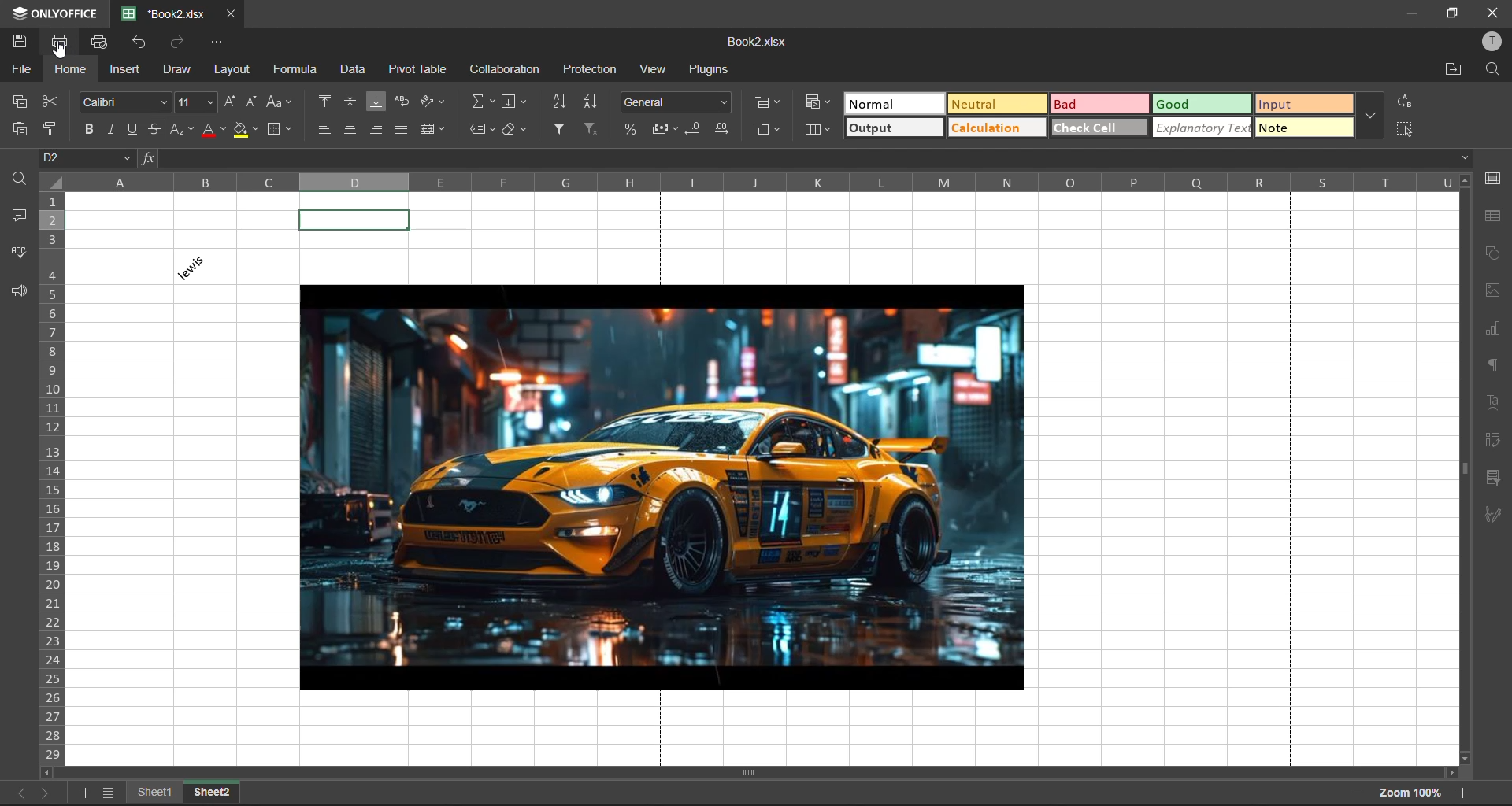 The height and width of the screenshot is (806, 1512). Describe the element at coordinates (1356, 793) in the screenshot. I see `zoom out` at that location.